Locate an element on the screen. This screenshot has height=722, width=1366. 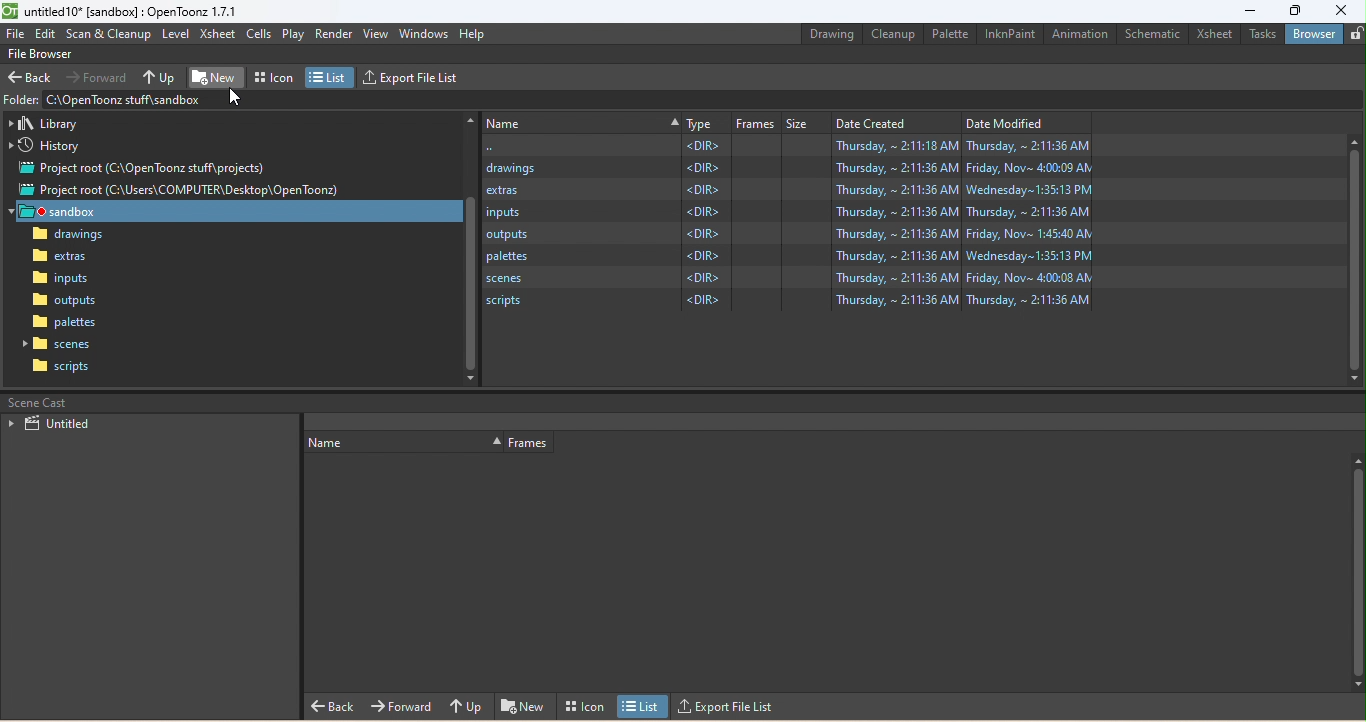
InknPaint is located at coordinates (1012, 34).